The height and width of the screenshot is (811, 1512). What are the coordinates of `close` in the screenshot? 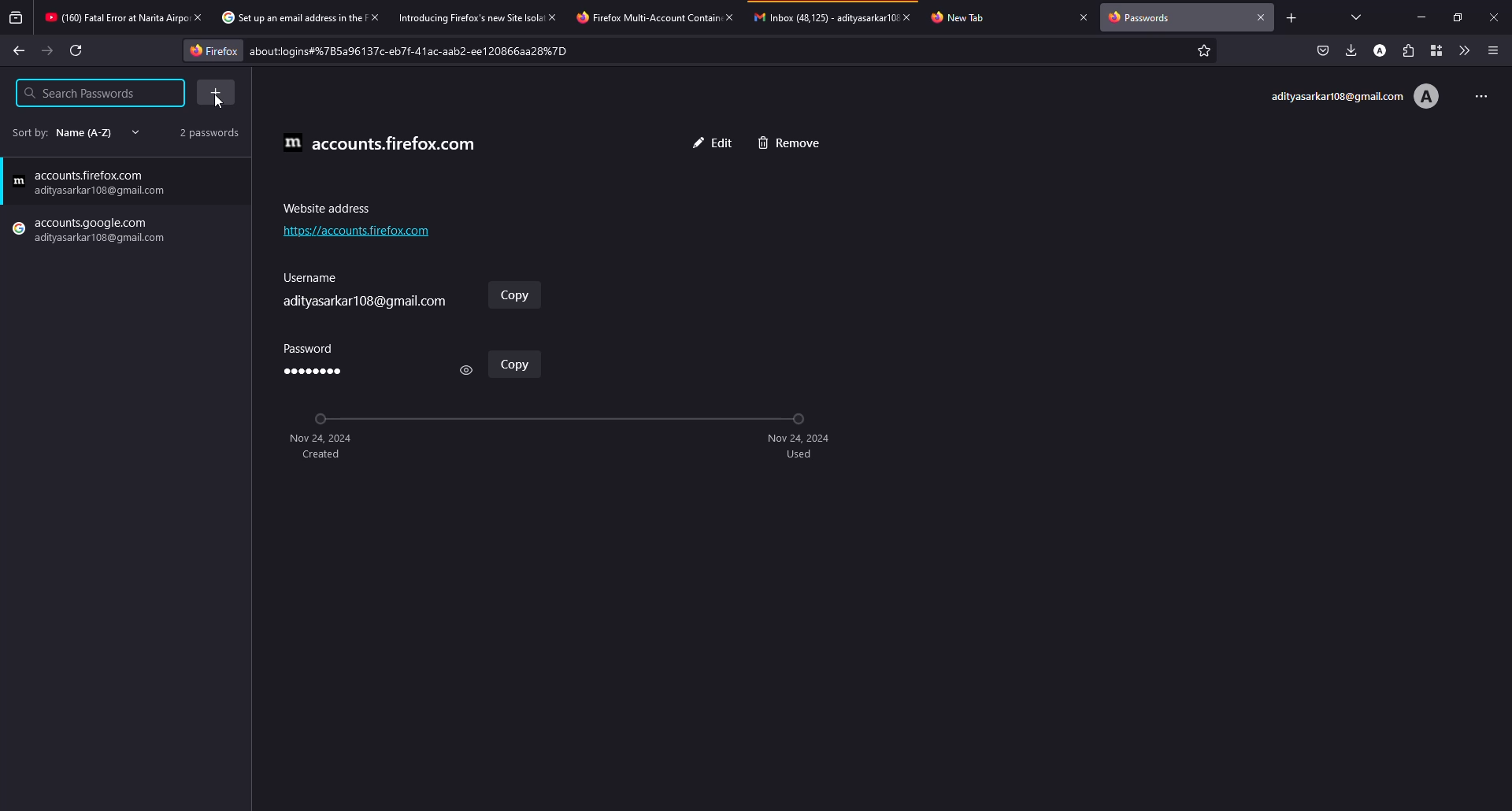 It's located at (197, 17).